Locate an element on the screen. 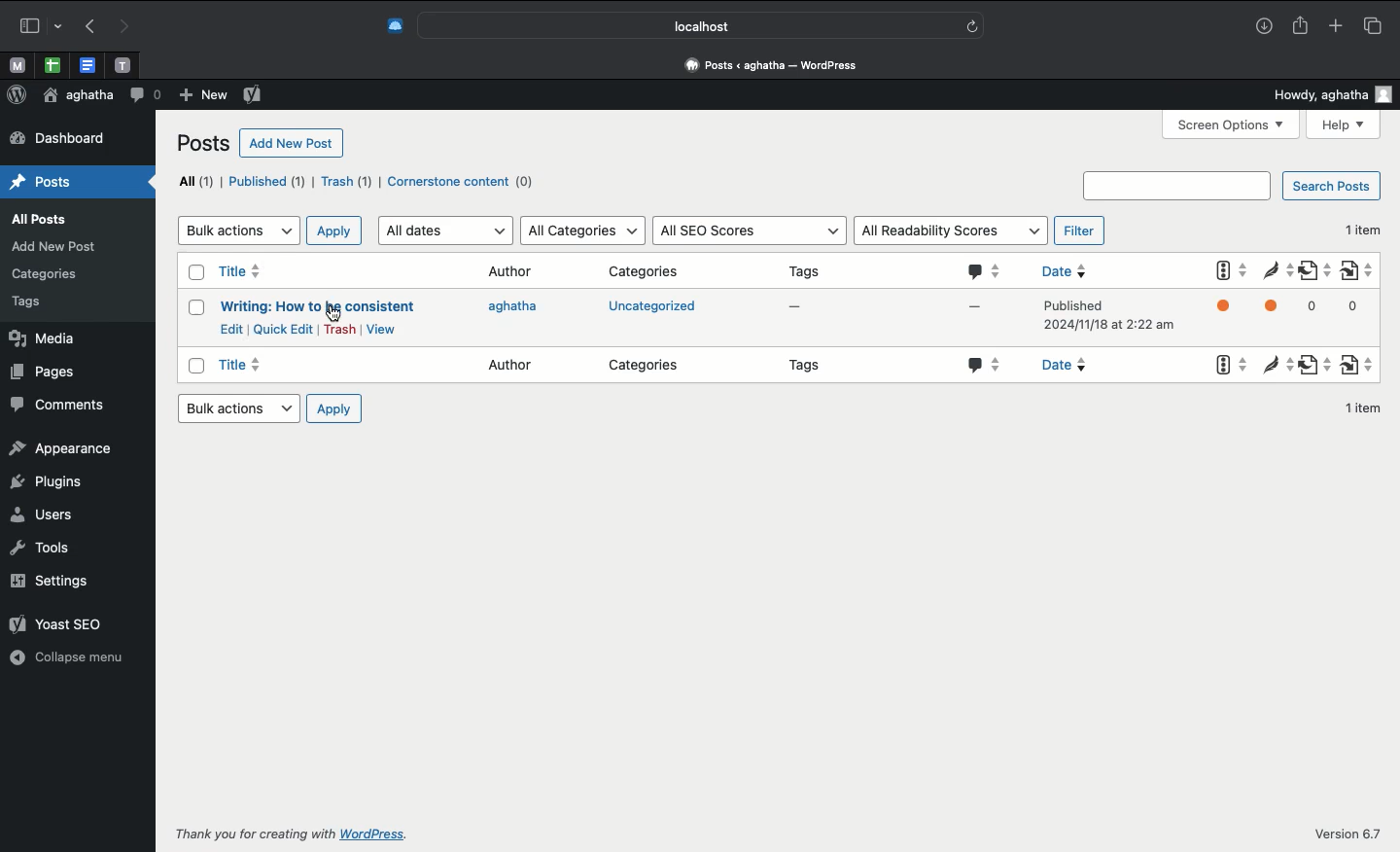  yoast seo is located at coordinates (55, 625).